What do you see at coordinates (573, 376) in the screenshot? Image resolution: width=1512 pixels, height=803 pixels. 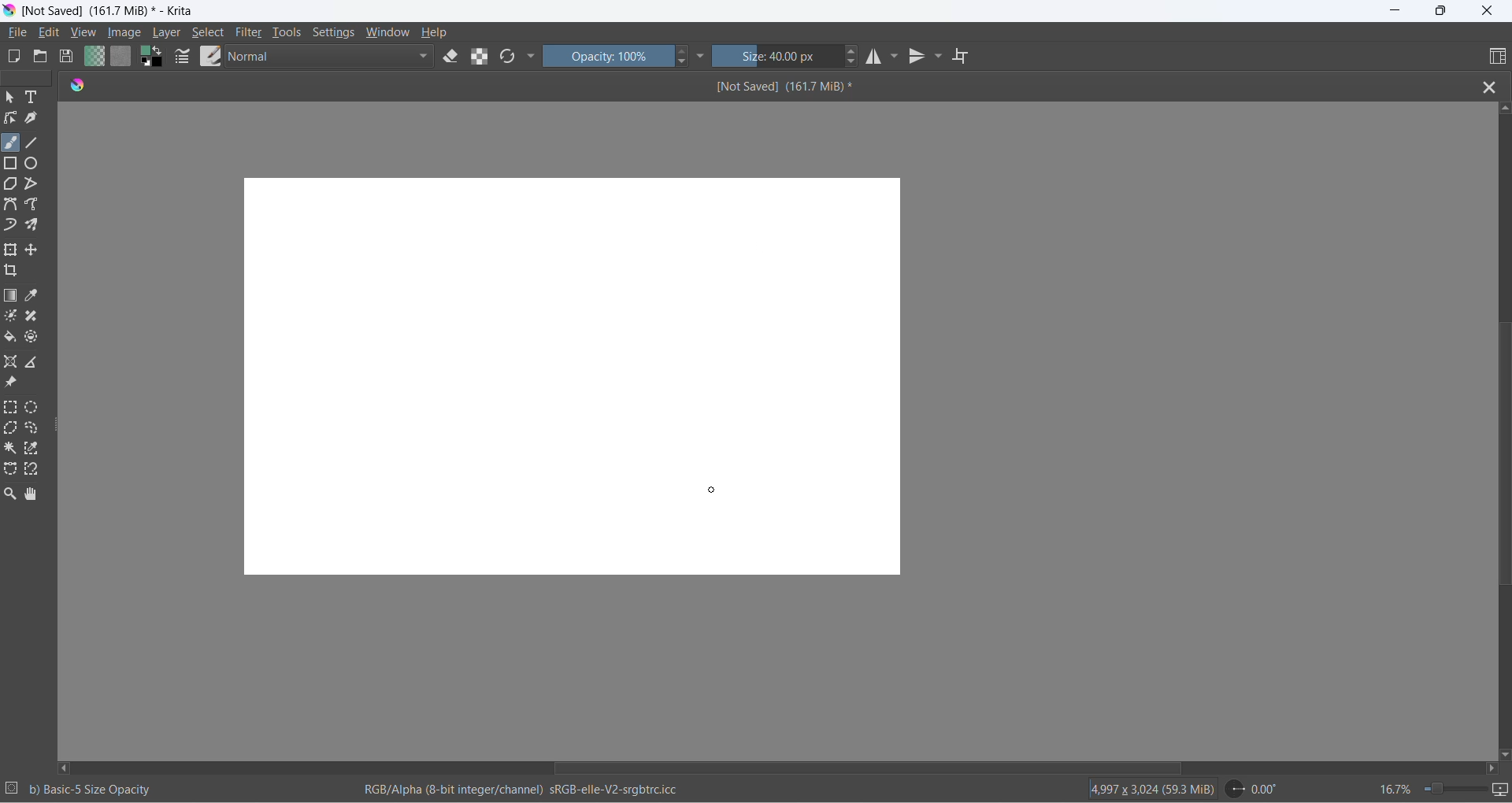 I see `canvas ` at bounding box center [573, 376].